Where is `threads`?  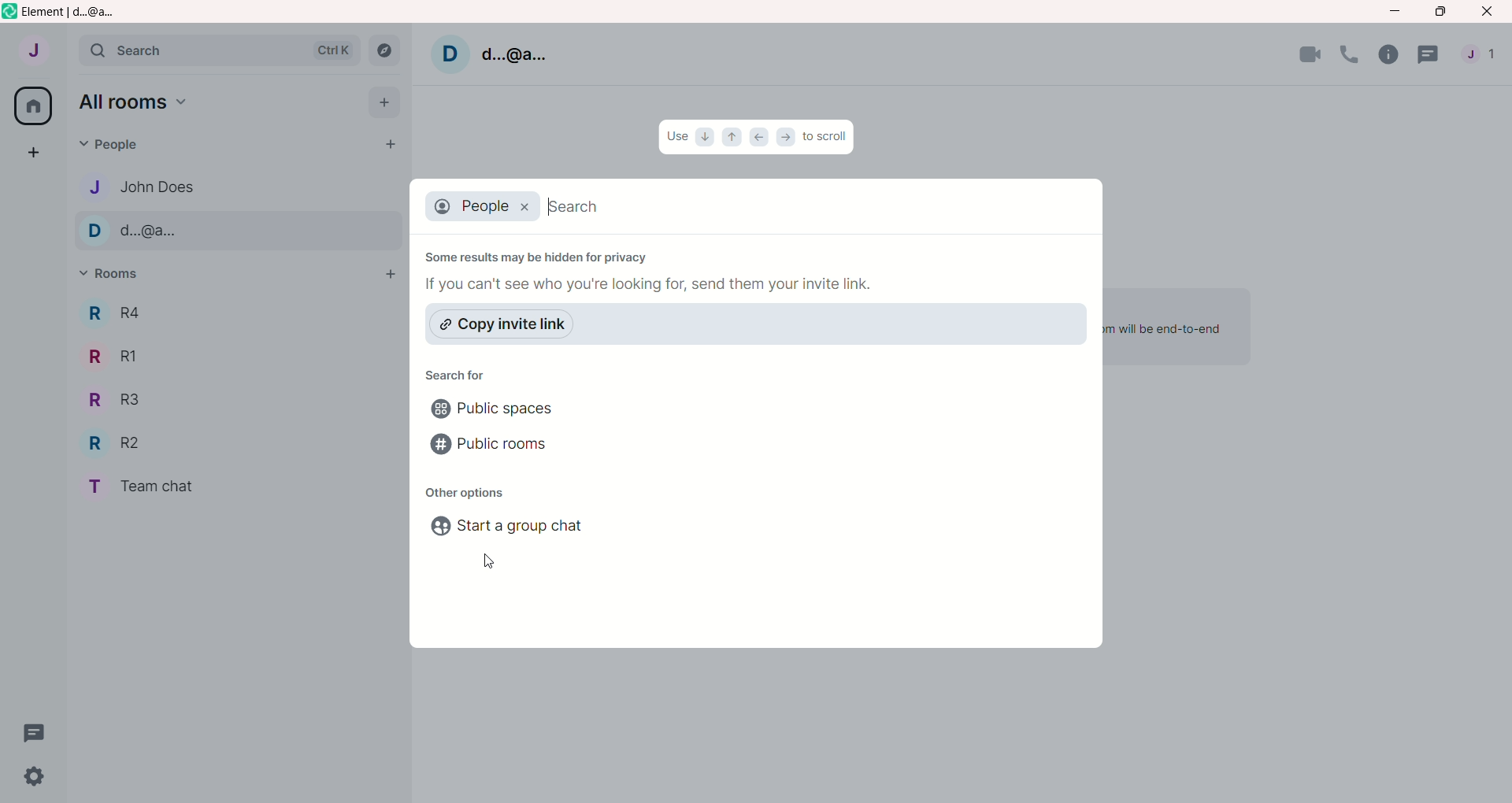 threads is located at coordinates (1432, 58).